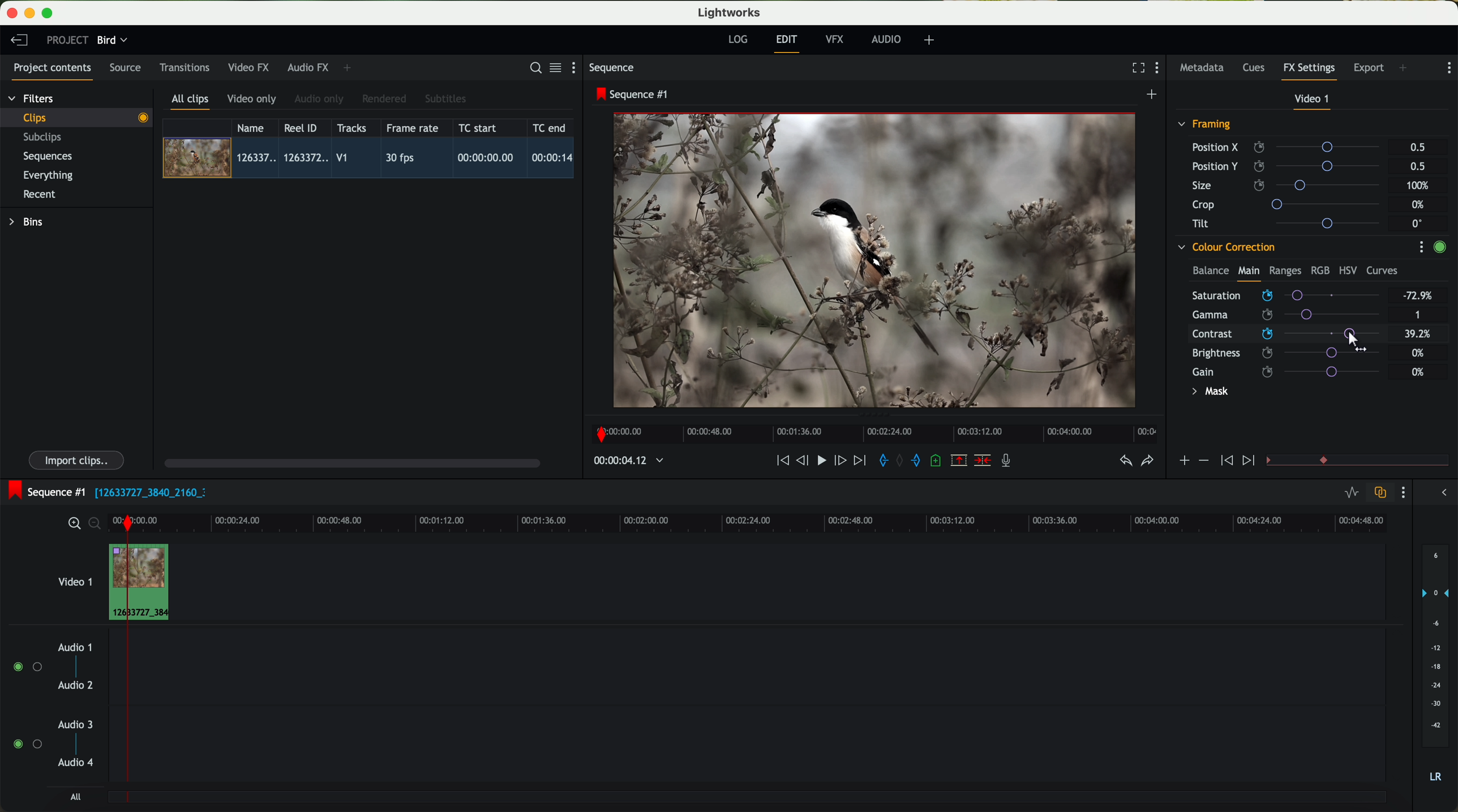 The image size is (1458, 812). Describe the element at coordinates (730, 12) in the screenshot. I see `Lightworks` at that location.